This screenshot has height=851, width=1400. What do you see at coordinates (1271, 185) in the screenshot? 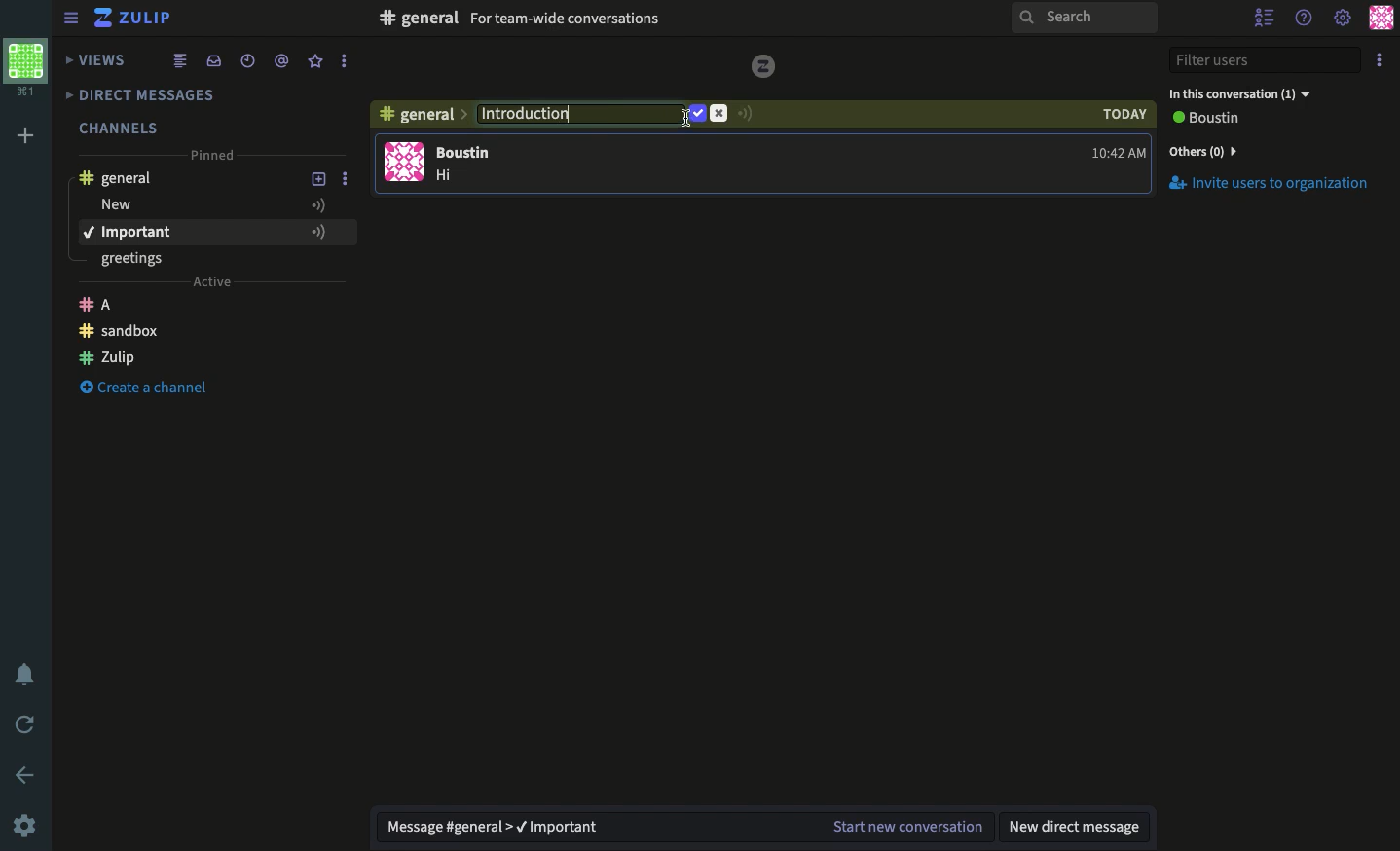
I see `Invite Users to Organization` at bounding box center [1271, 185].